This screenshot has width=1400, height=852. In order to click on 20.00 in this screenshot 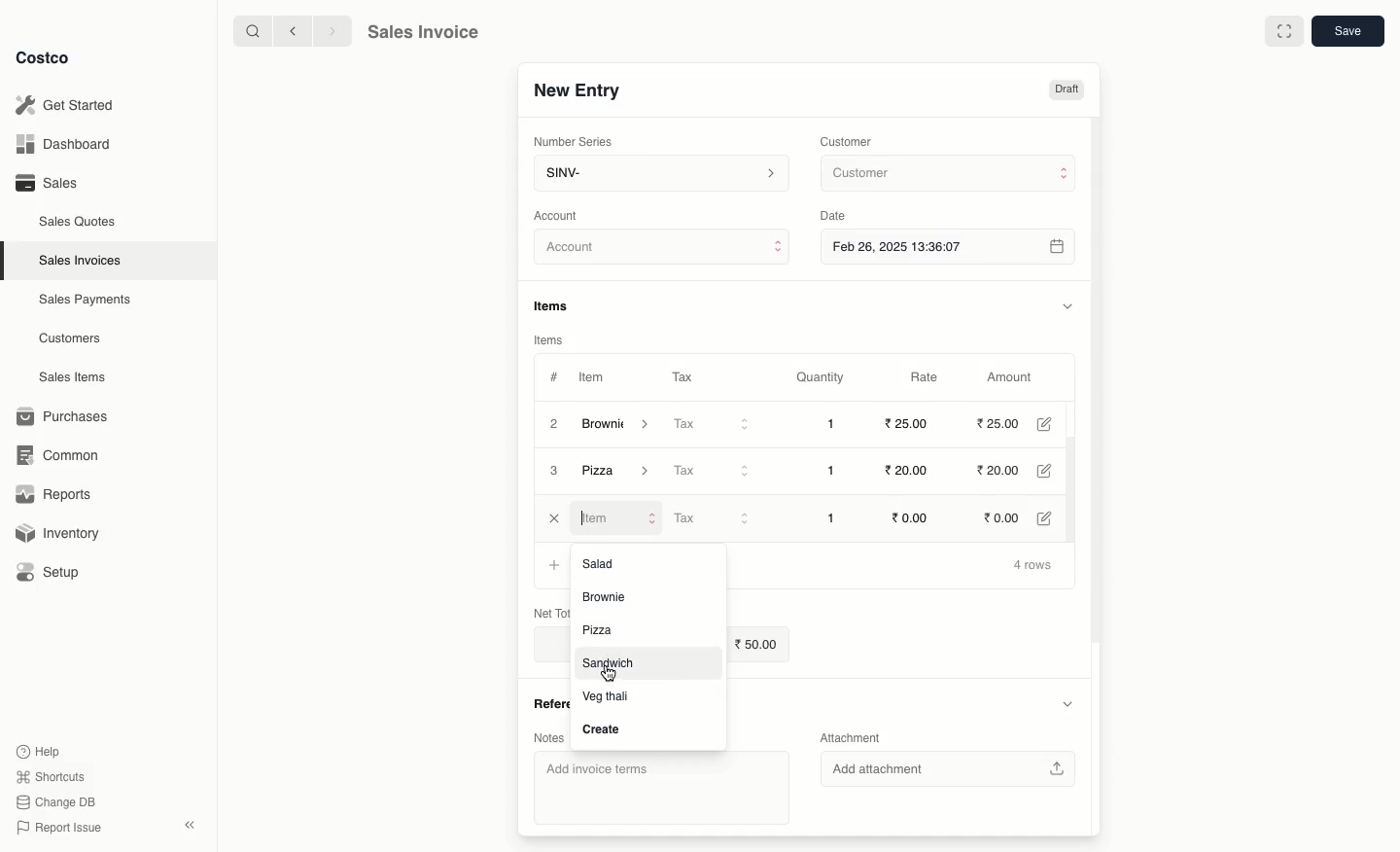, I will do `click(1007, 472)`.